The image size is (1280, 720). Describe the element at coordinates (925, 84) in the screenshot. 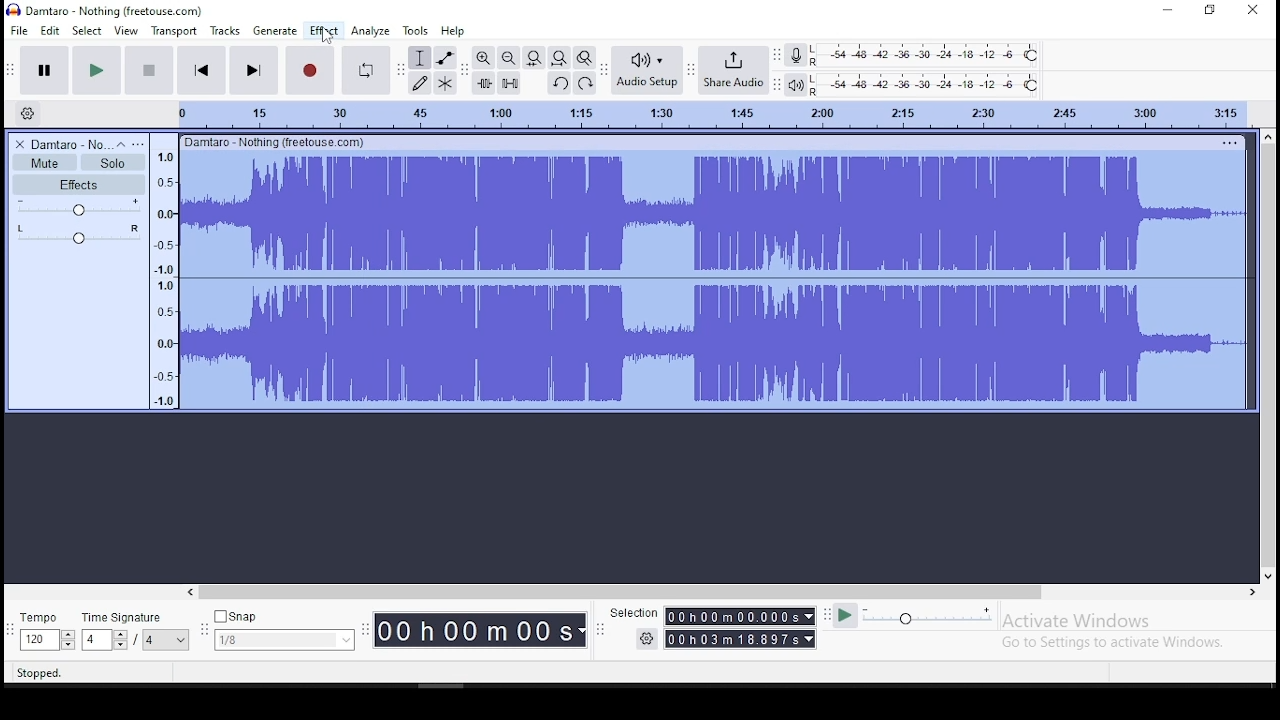

I see `playback level` at that location.